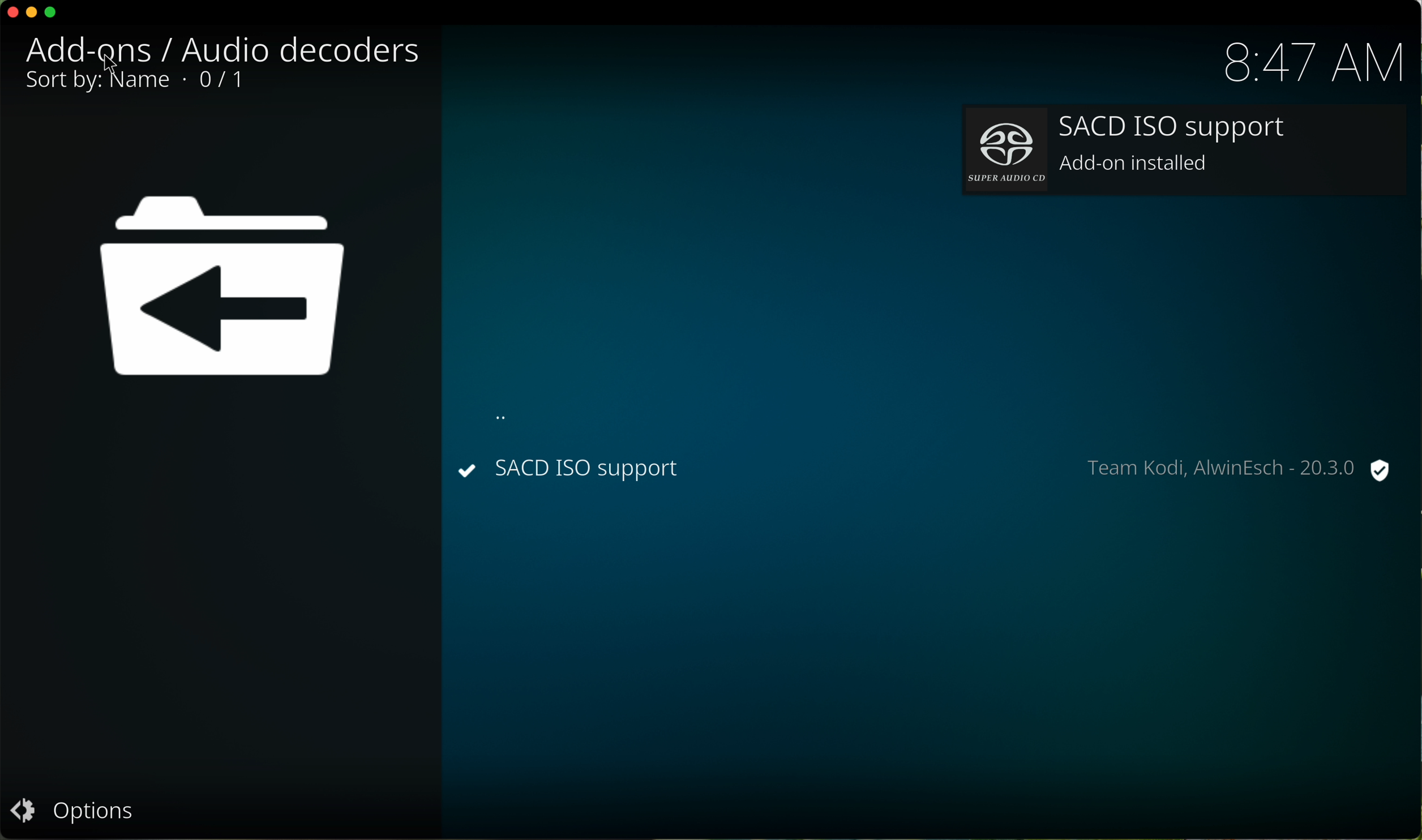 The height and width of the screenshot is (840, 1422). Describe the element at coordinates (926, 469) in the screenshot. I see `installed` at that location.